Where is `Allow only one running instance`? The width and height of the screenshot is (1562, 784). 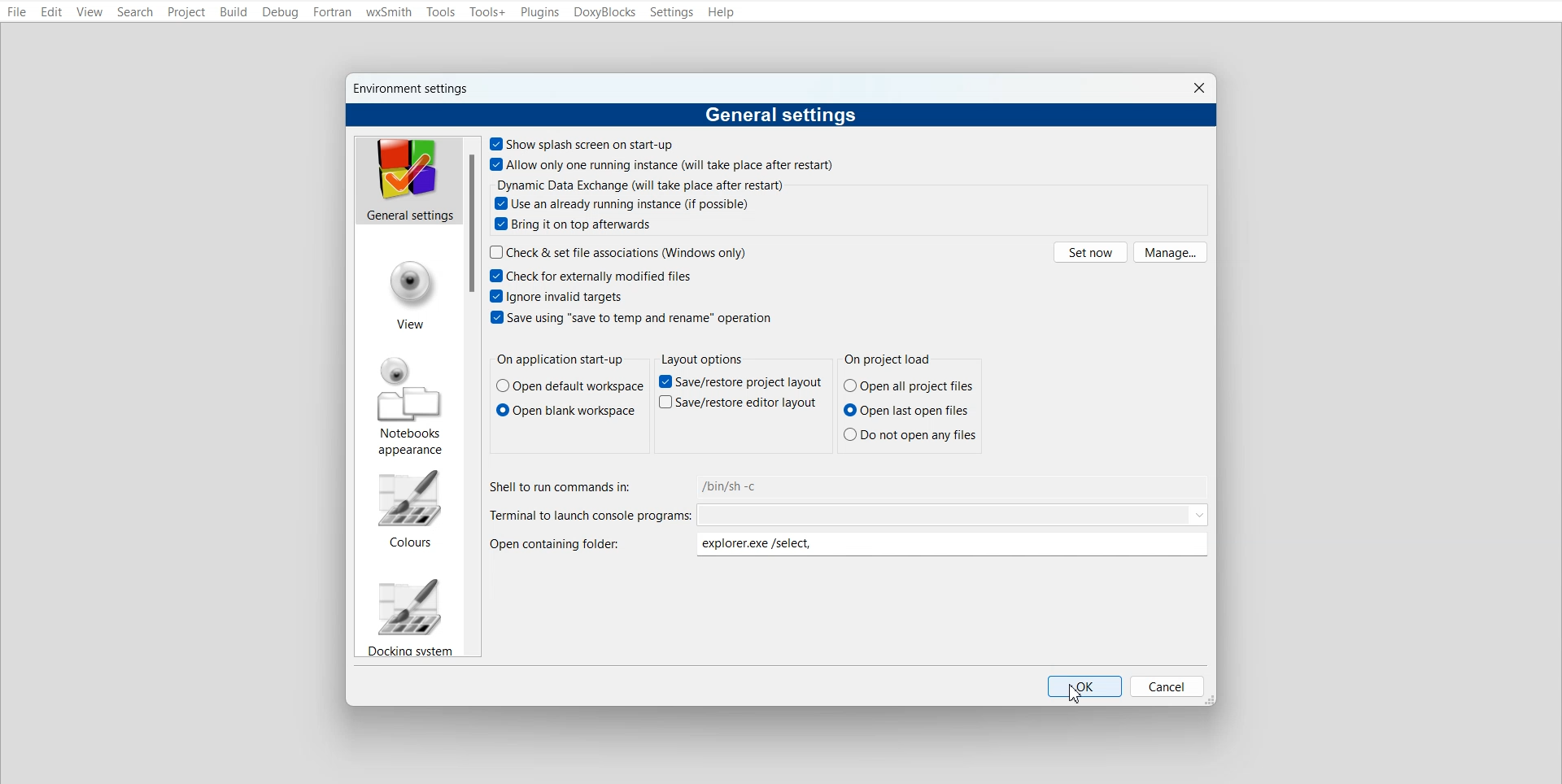
Allow only one running instance is located at coordinates (664, 164).